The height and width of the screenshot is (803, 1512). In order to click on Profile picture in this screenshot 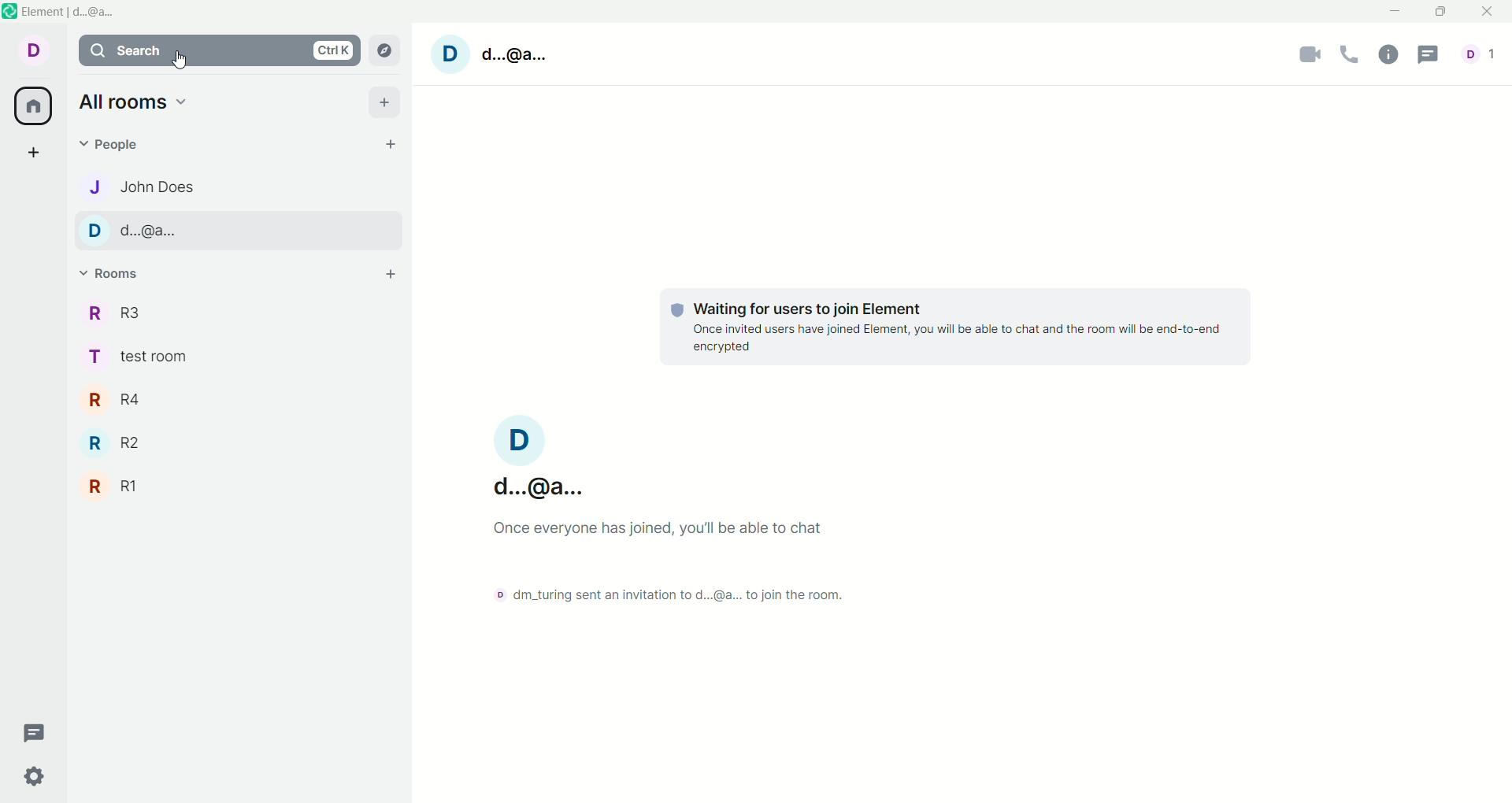, I will do `click(450, 55)`.